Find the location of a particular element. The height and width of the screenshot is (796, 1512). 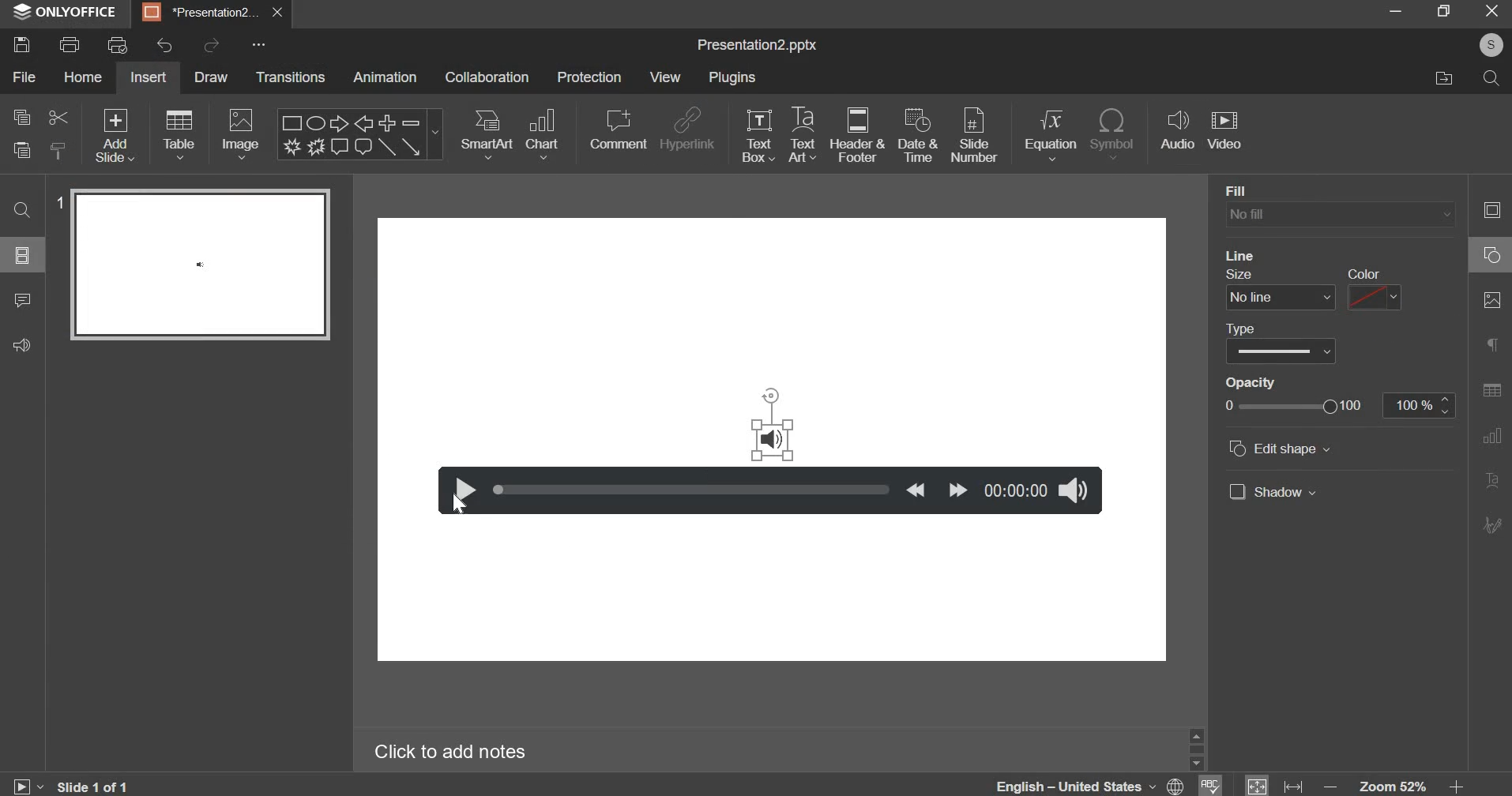

spelling is located at coordinates (1209, 785).